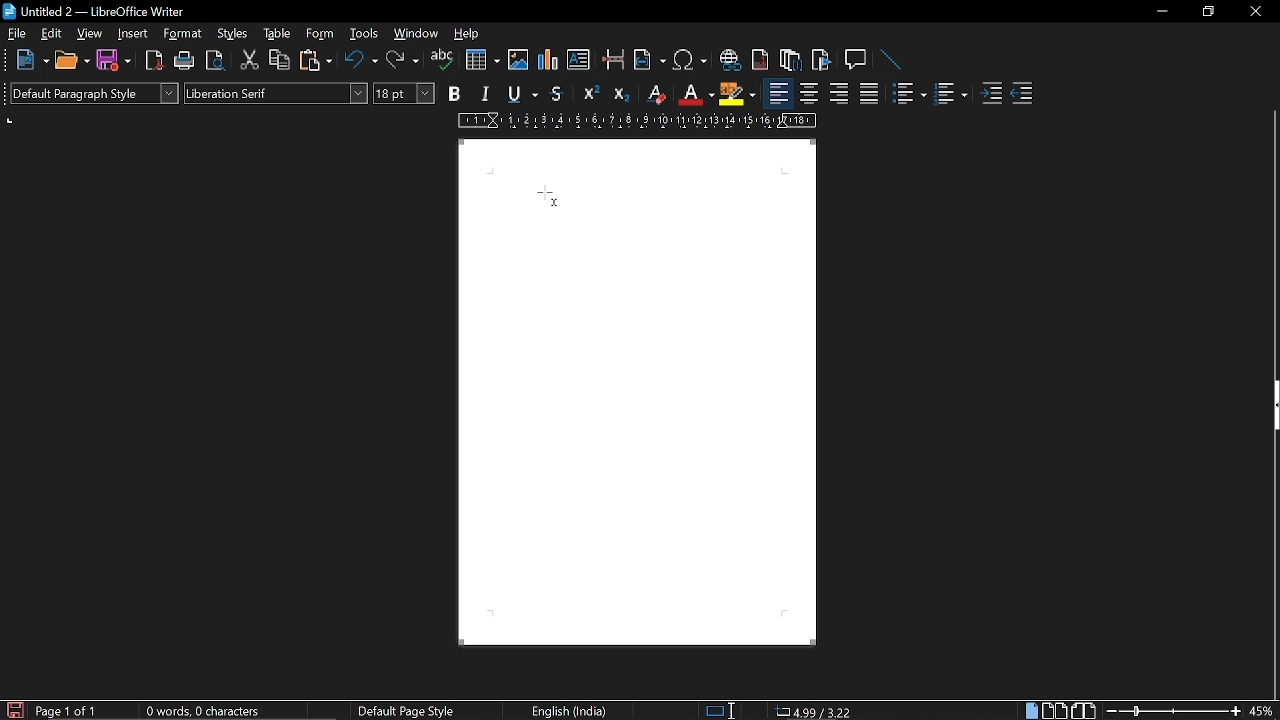  Describe the element at coordinates (991, 95) in the screenshot. I see `indent left` at that location.